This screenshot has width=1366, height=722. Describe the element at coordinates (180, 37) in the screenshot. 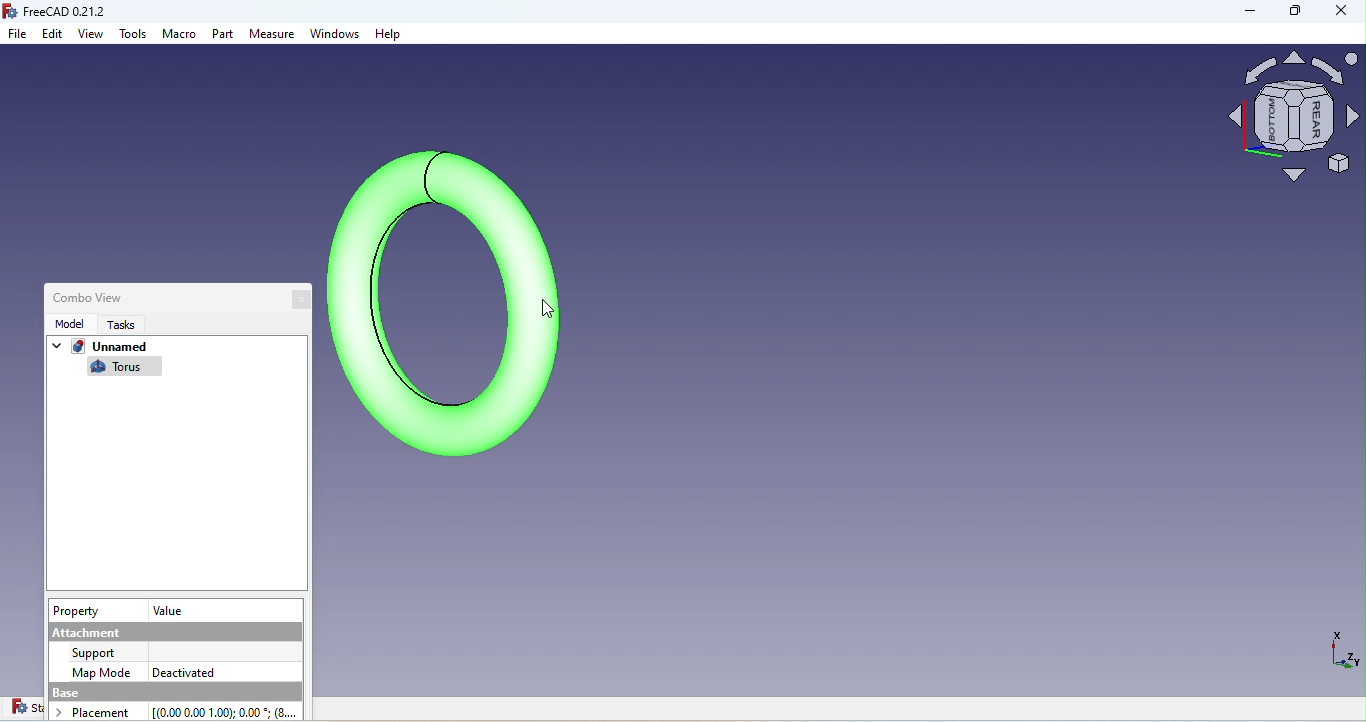

I see `Macro` at that location.